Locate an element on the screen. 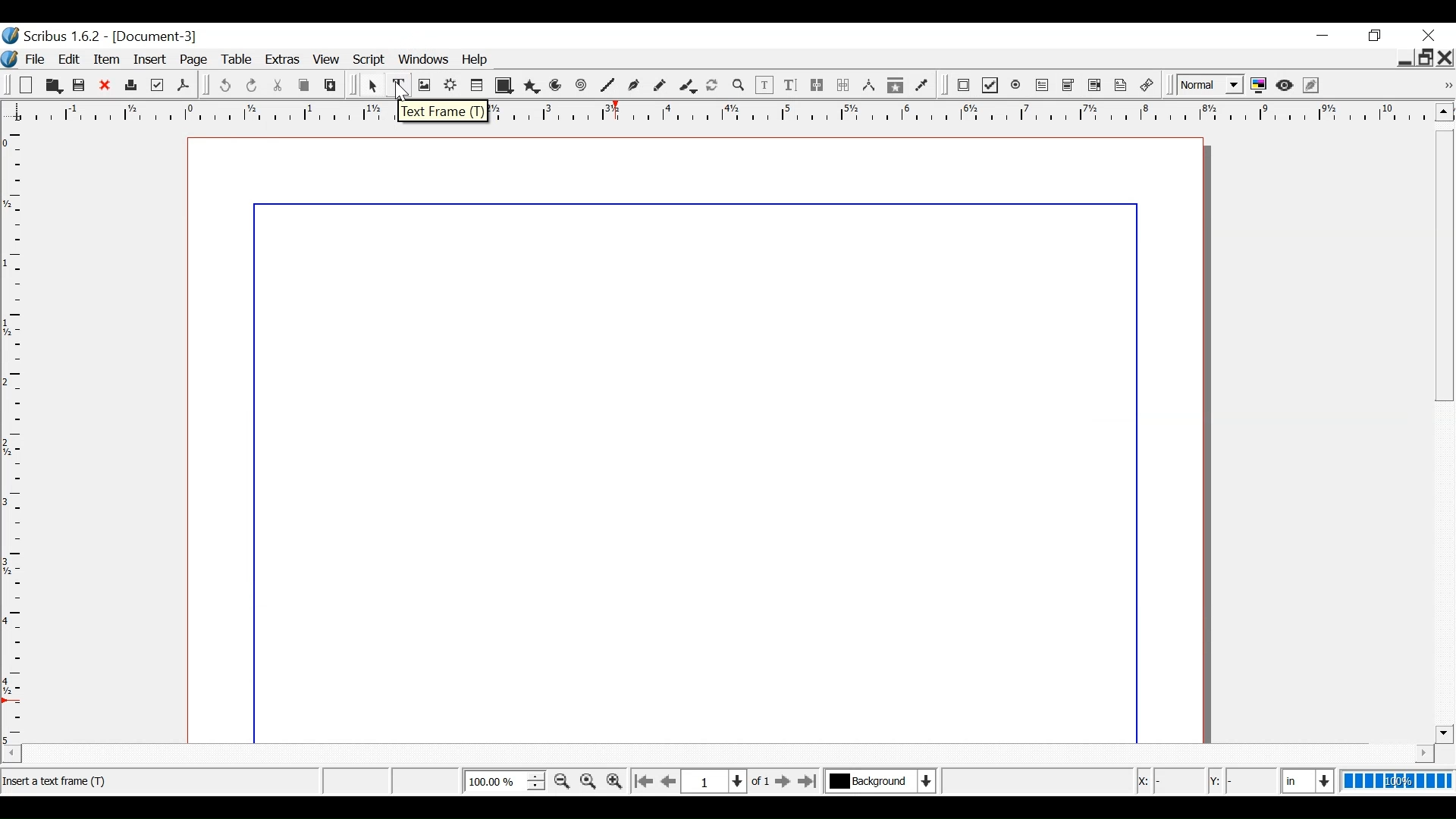 The height and width of the screenshot is (819, 1456). Caligraphic line is located at coordinates (689, 87).